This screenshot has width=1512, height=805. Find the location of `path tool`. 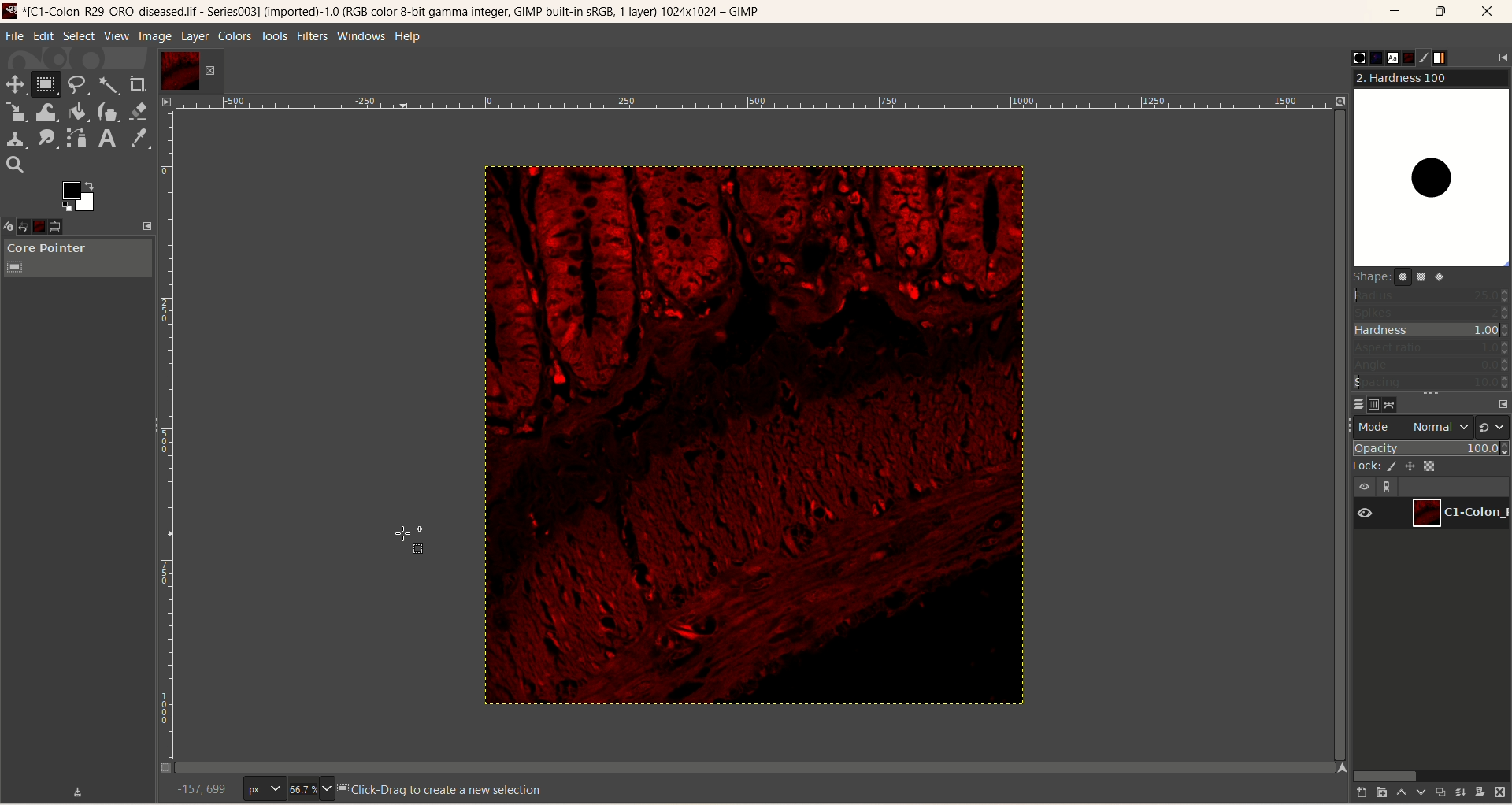

path tool is located at coordinates (78, 138).